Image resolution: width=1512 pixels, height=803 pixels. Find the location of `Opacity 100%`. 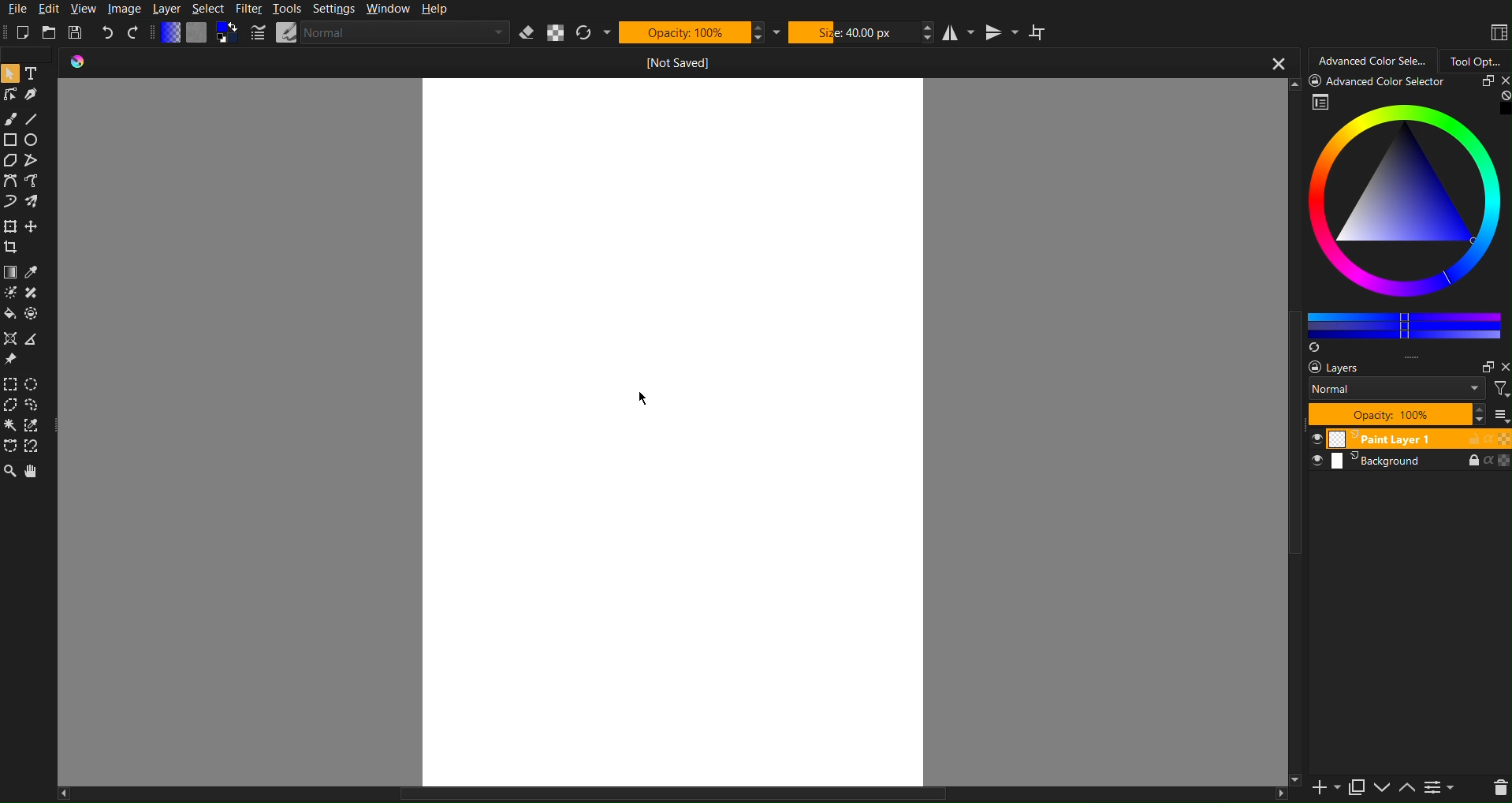

Opacity 100% is located at coordinates (699, 32).